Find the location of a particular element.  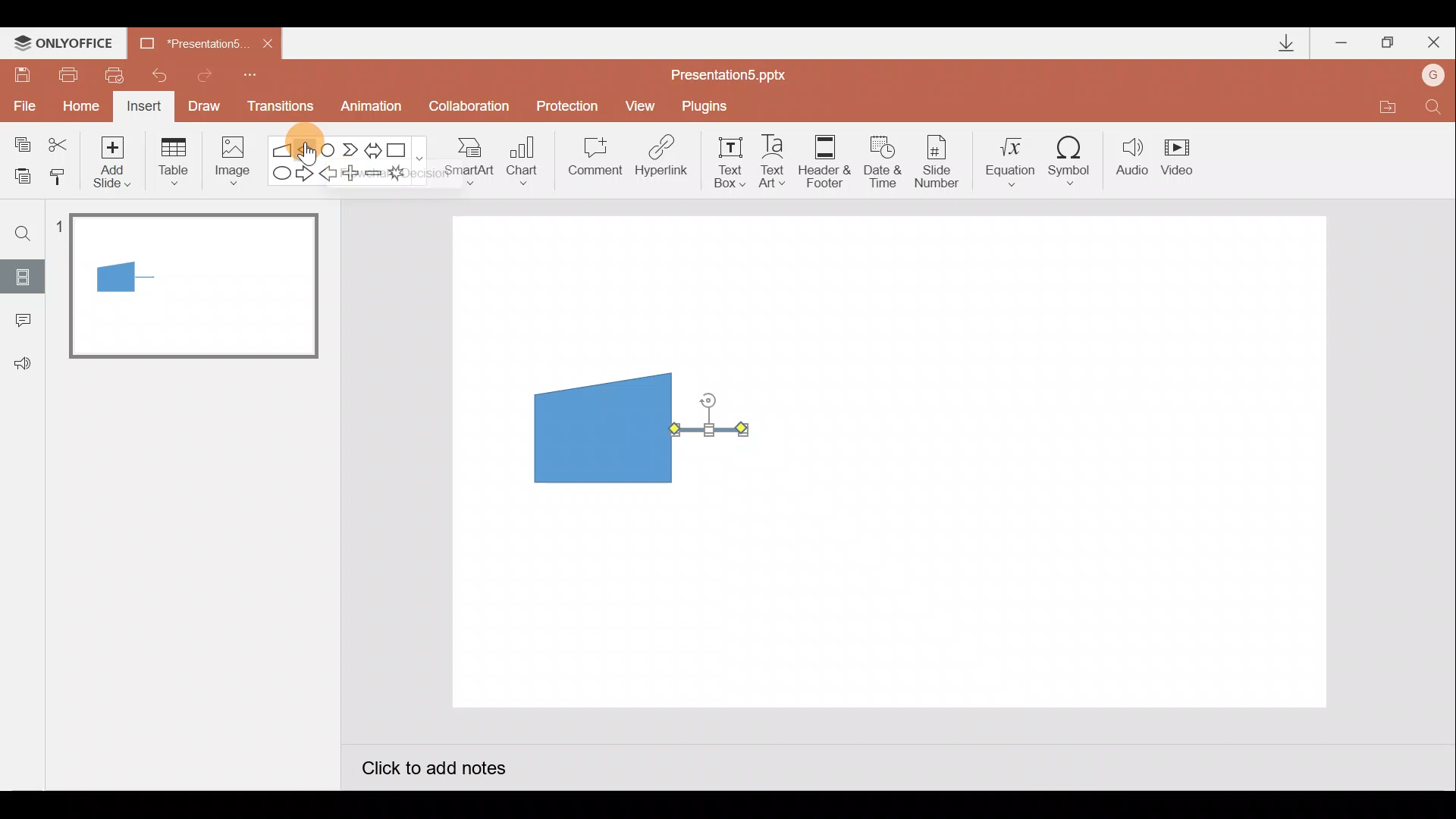

Left right arrow is located at coordinates (375, 147).